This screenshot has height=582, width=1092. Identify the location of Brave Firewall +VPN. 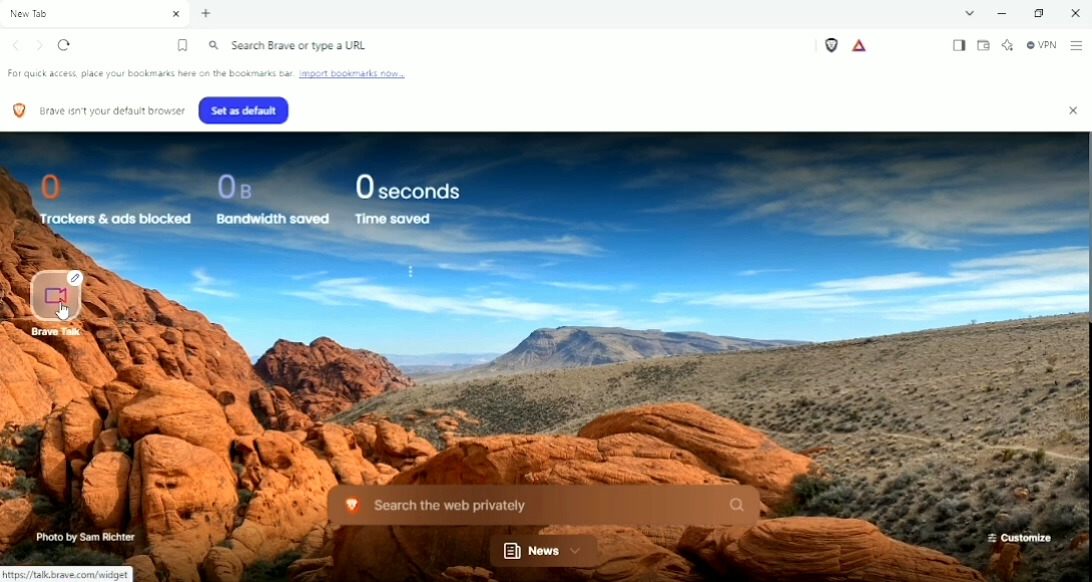
(1042, 45).